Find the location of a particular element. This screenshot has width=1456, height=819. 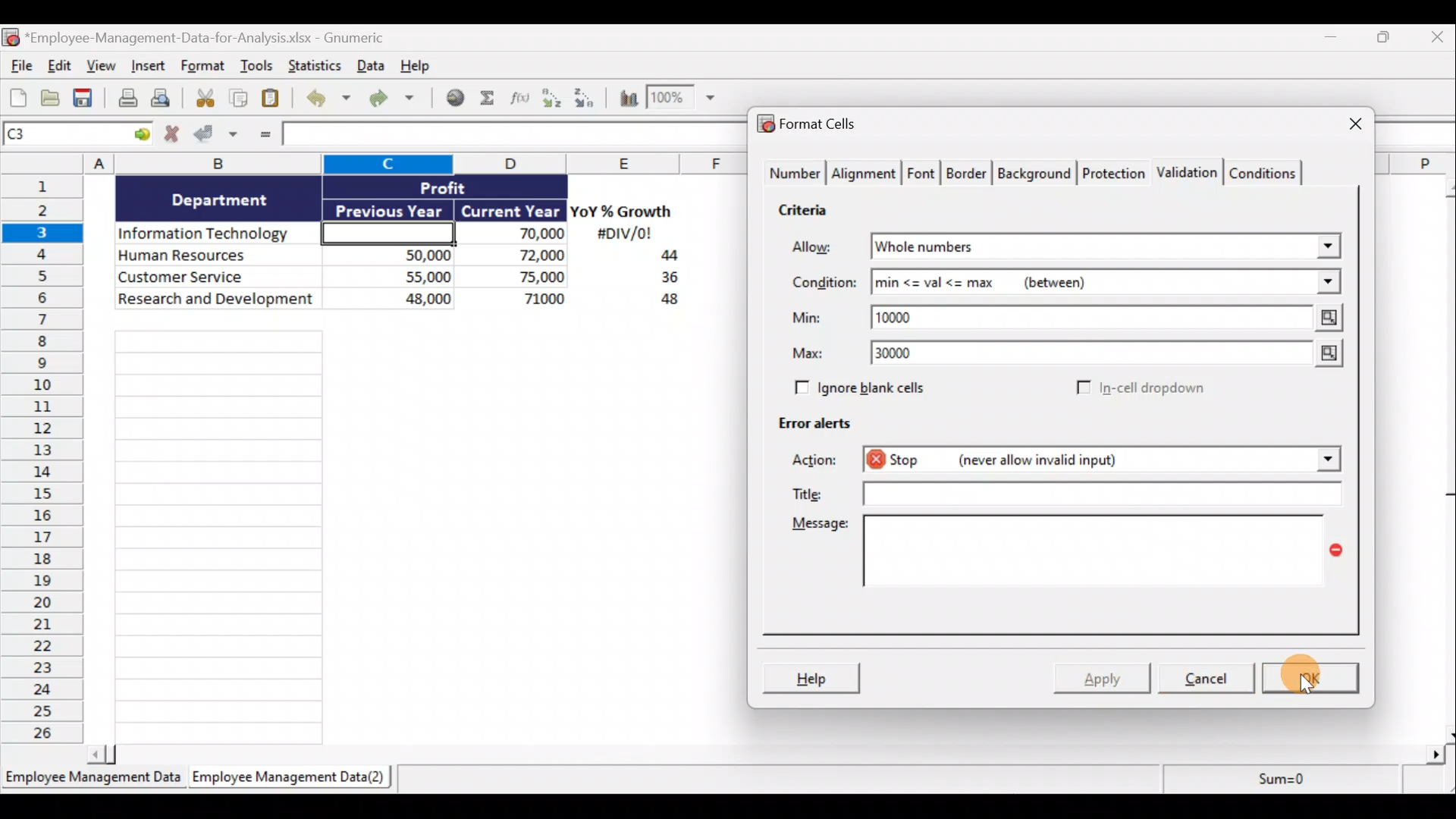

Format is located at coordinates (203, 68).